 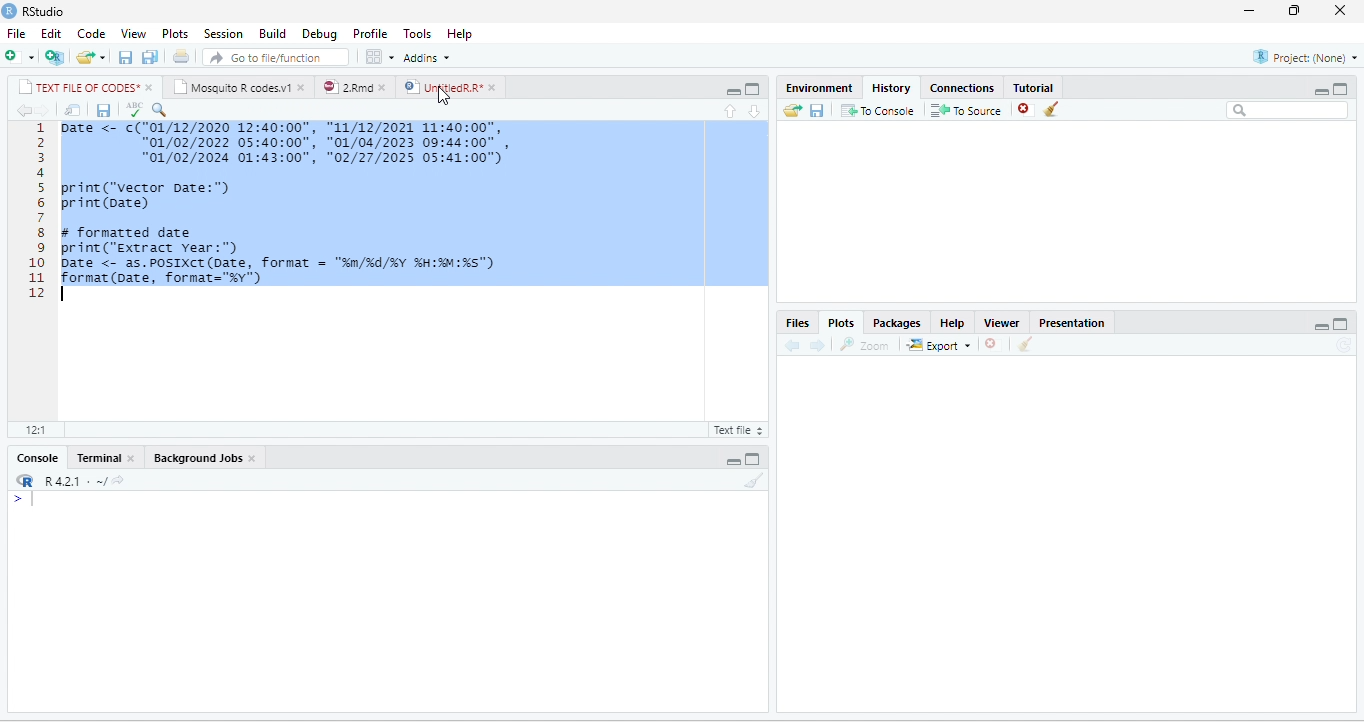 I want to click on print, so click(x=180, y=56).